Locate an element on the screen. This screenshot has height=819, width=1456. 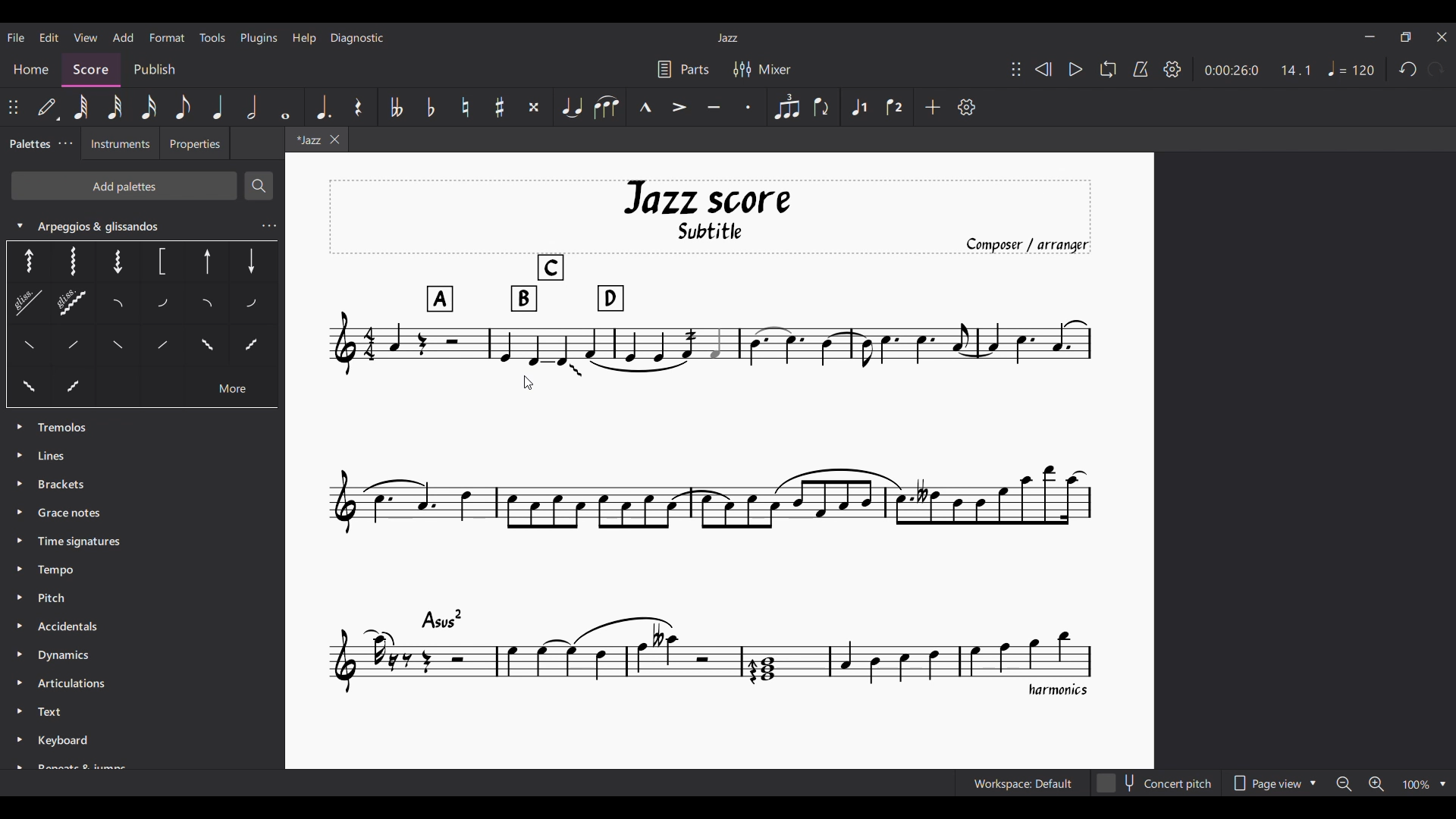
Current workspace setting is located at coordinates (1024, 783).